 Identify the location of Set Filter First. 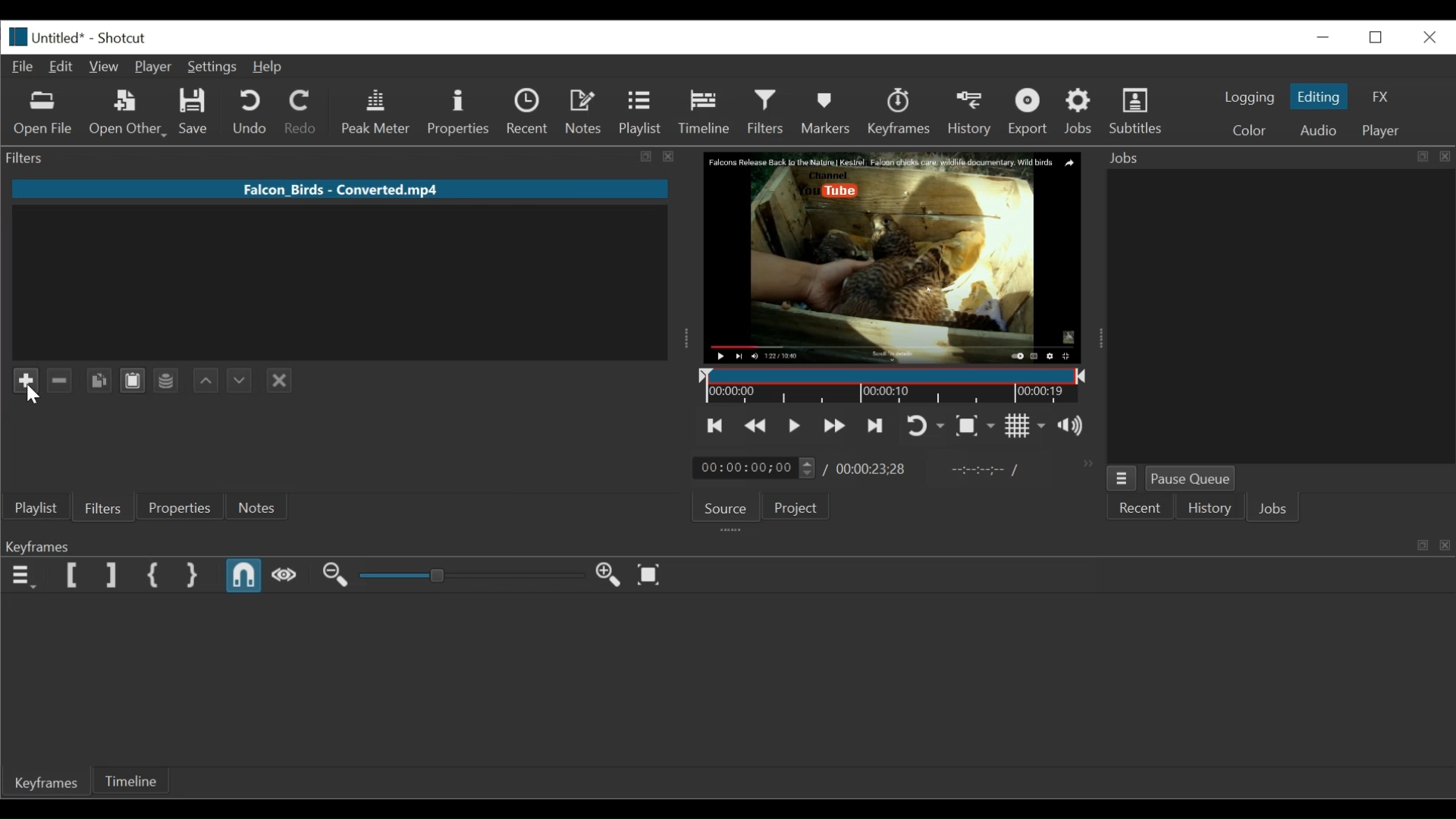
(74, 576).